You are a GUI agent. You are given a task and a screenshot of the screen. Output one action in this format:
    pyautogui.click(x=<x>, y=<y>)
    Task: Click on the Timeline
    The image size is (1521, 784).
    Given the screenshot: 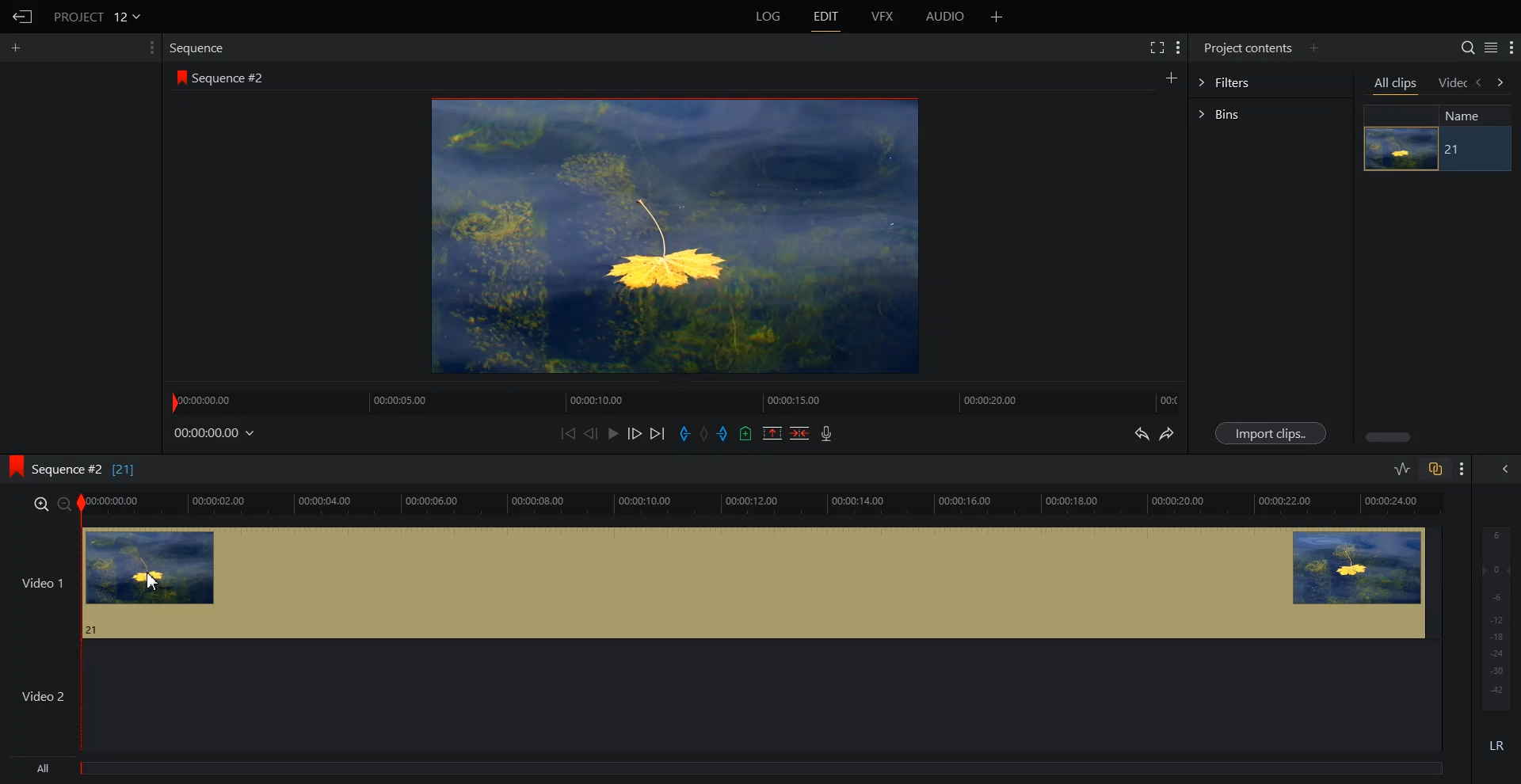 What is the action you would take?
    pyautogui.click(x=677, y=400)
    